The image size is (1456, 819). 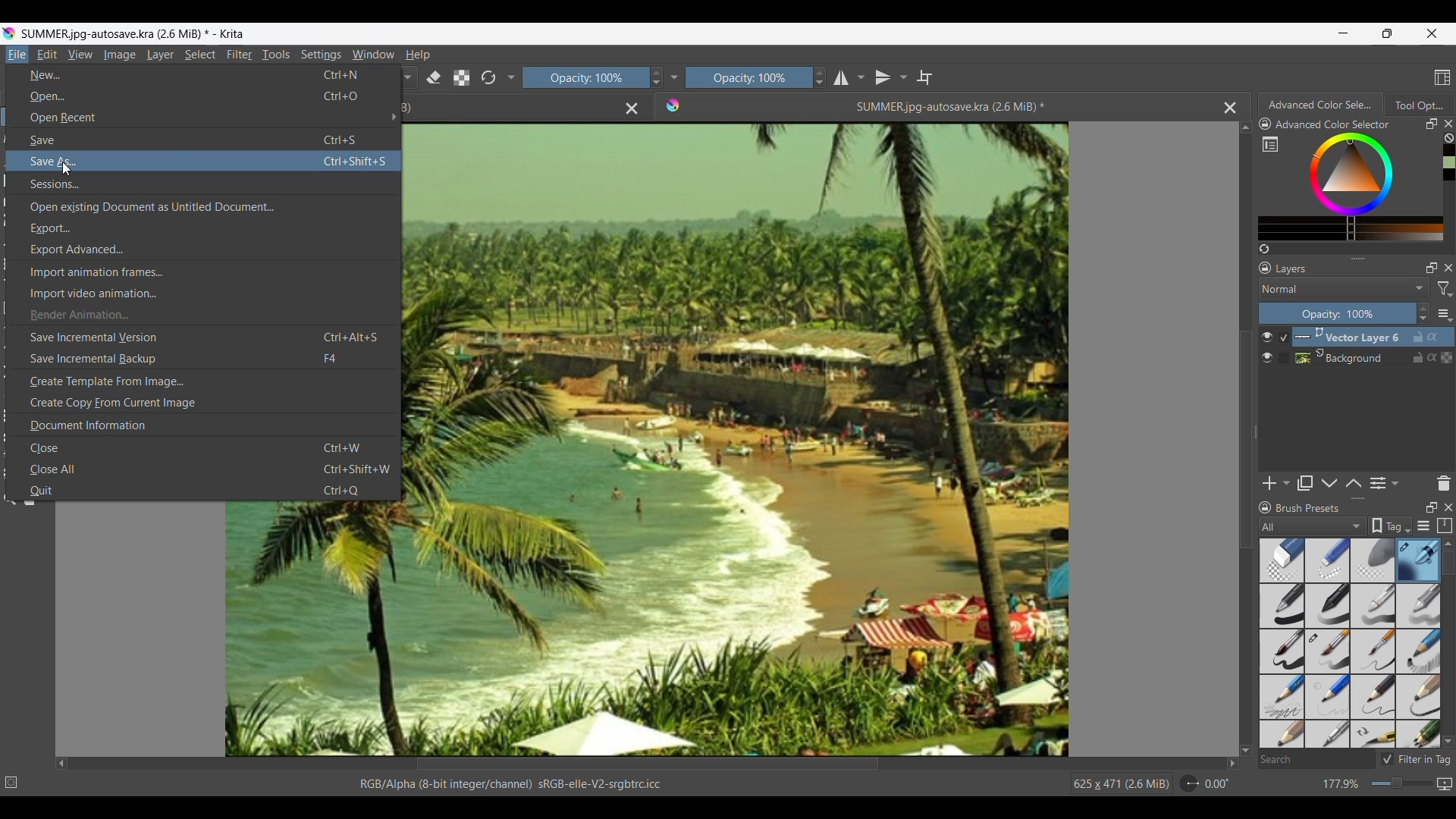 What do you see at coordinates (937, 107) in the screenshot?
I see `Current open file` at bounding box center [937, 107].